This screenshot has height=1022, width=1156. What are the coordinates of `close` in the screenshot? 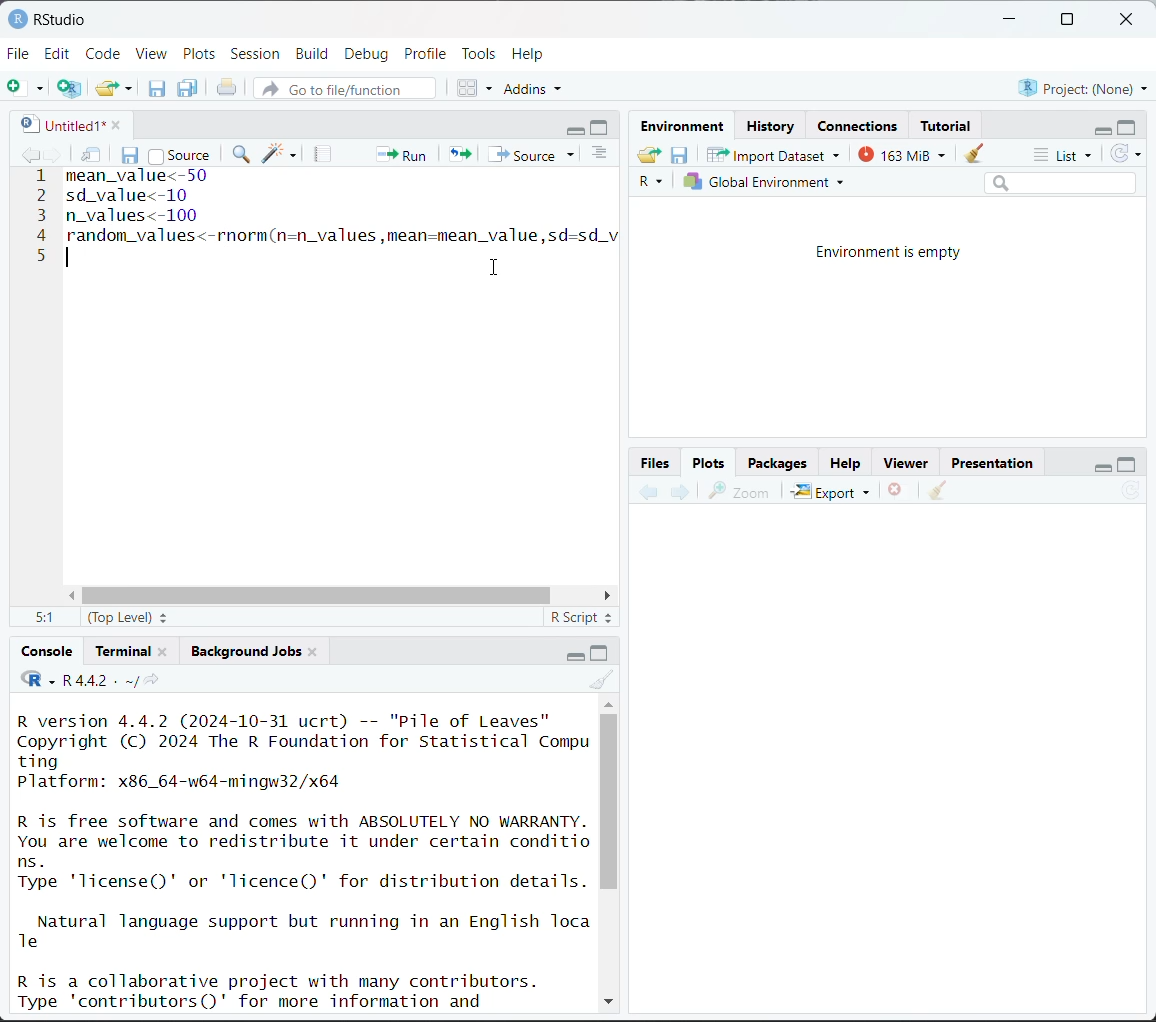 It's located at (163, 650).